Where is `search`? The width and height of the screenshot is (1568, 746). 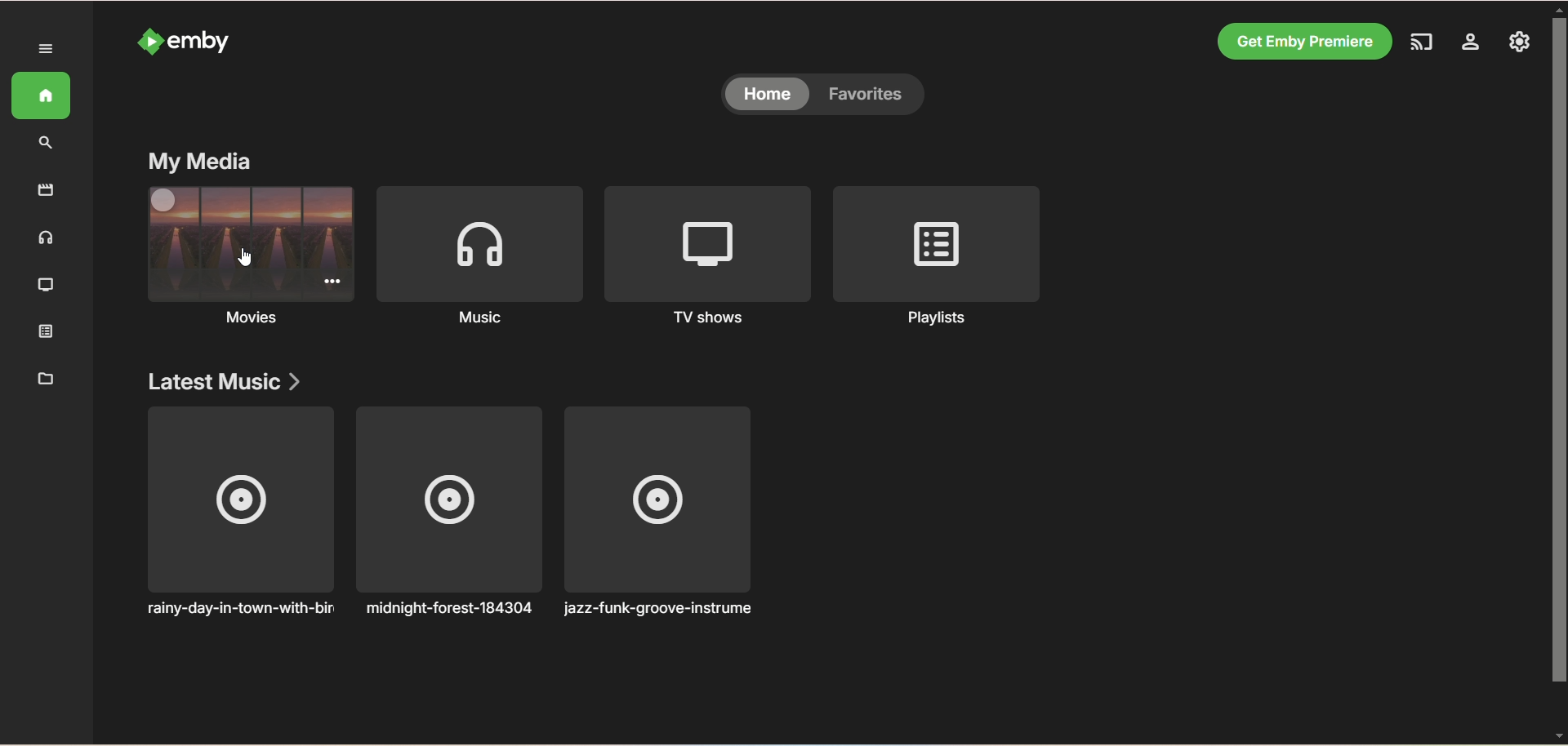
search is located at coordinates (48, 143).